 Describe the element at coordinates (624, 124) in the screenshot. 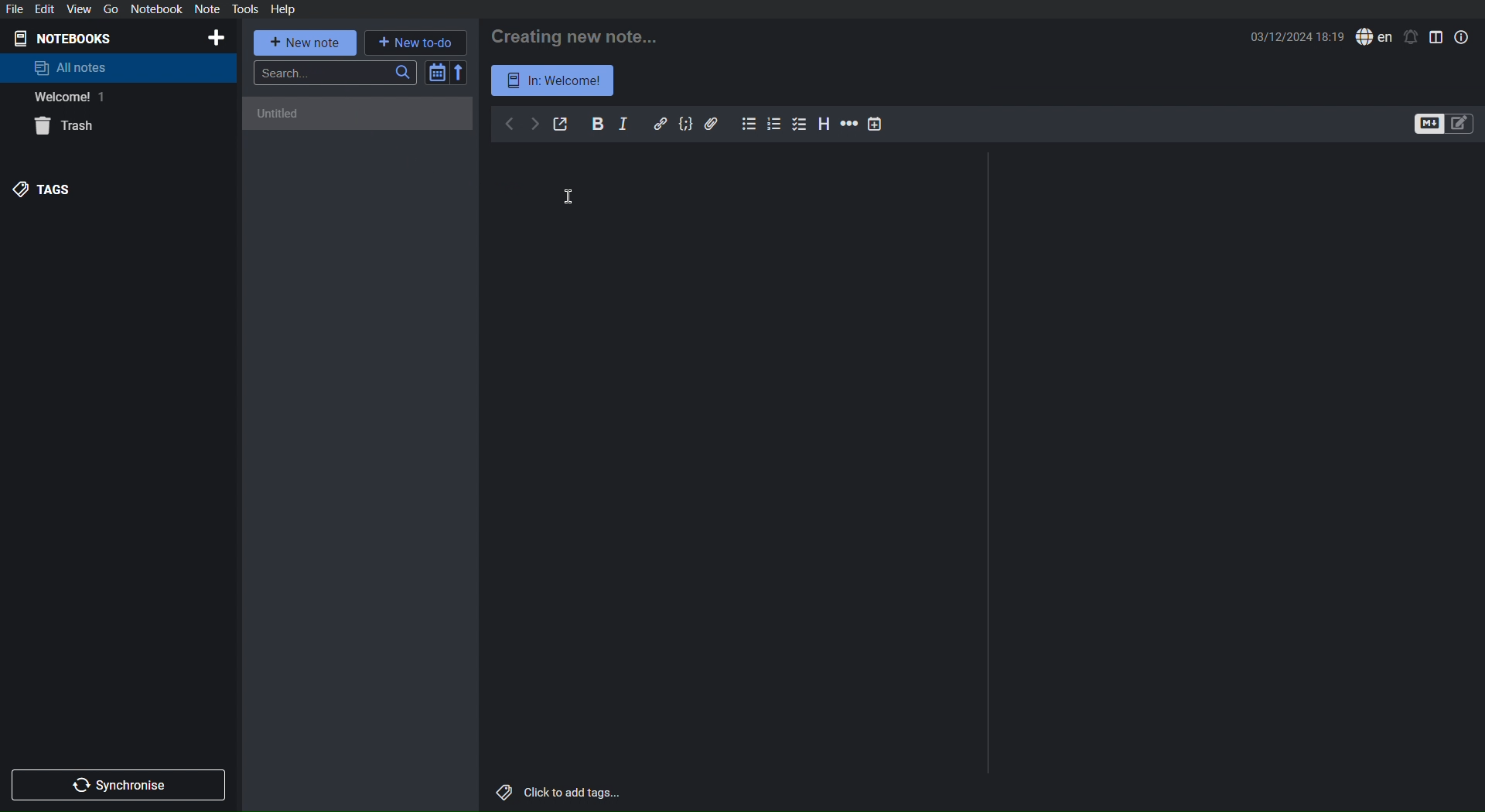

I see `Italics` at that location.